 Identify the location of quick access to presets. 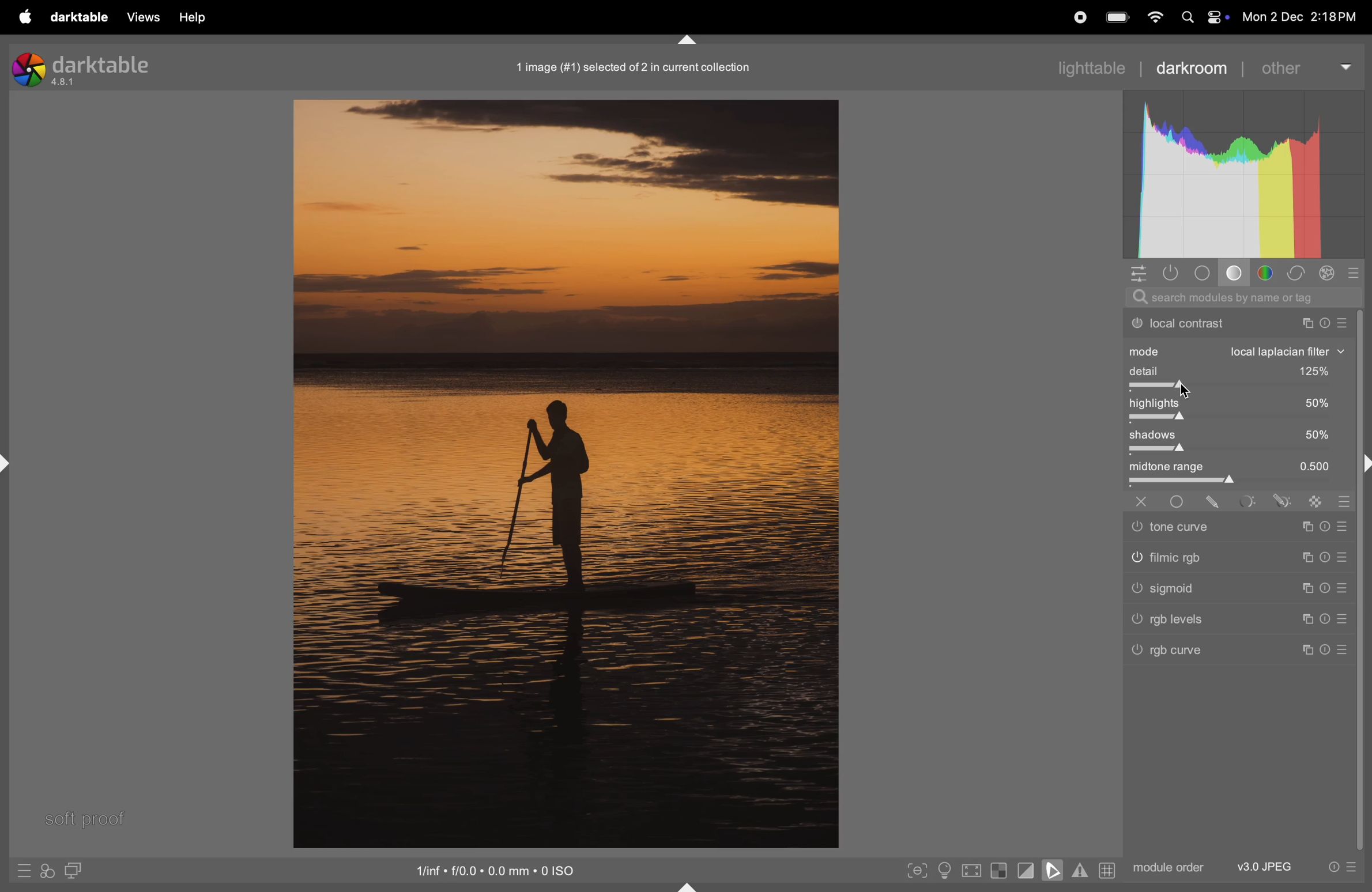
(19, 868).